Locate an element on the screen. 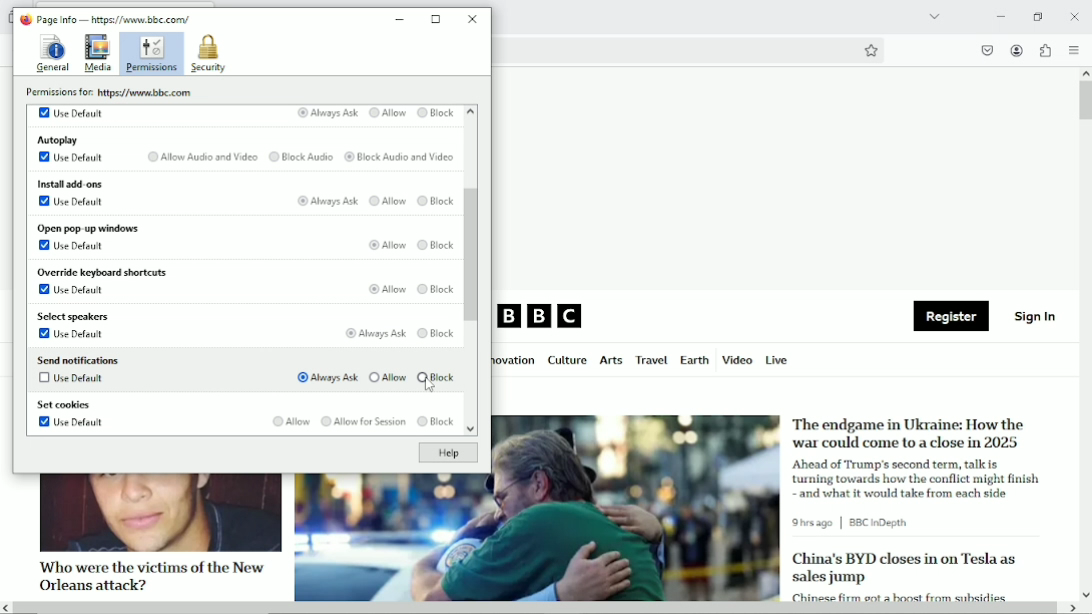 The height and width of the screenshot is (614, 1092). send notifications is located at coordinates (77, 359).